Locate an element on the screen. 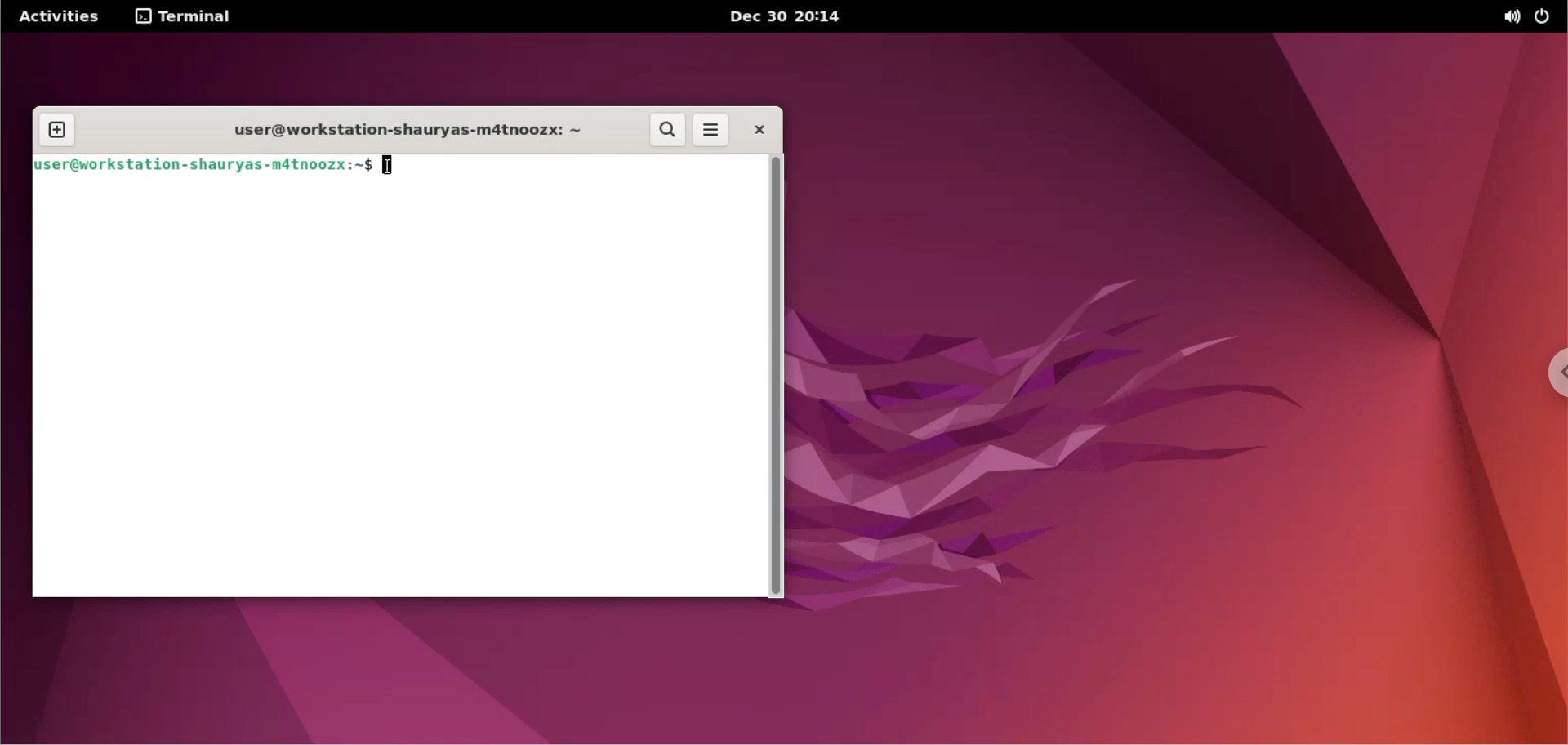  power options is located at coordinates (1546, 17).